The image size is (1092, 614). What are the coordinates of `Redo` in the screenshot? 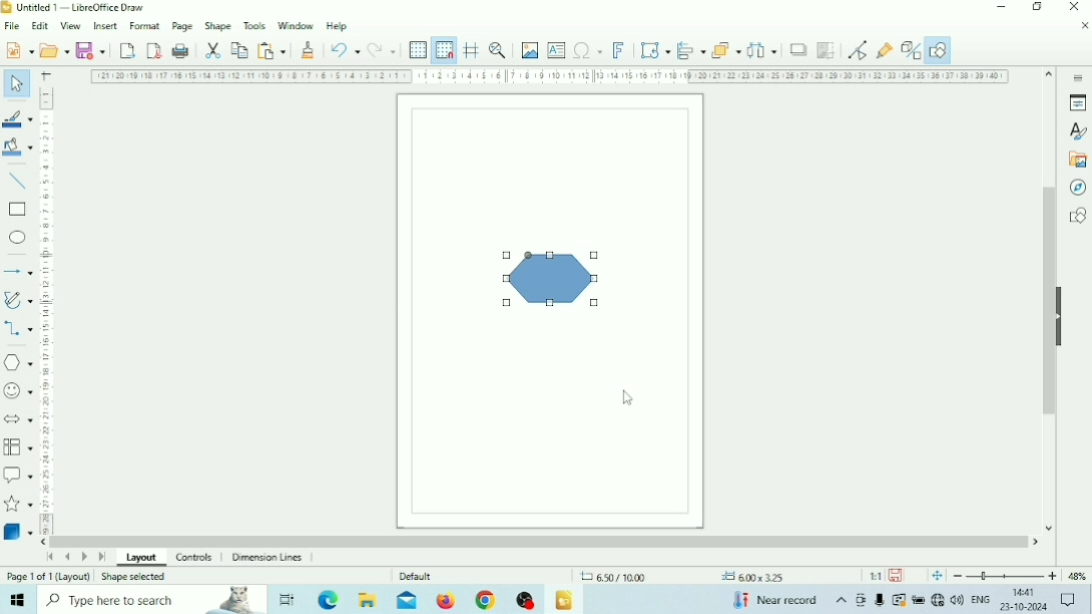 It's located at (381, 49).